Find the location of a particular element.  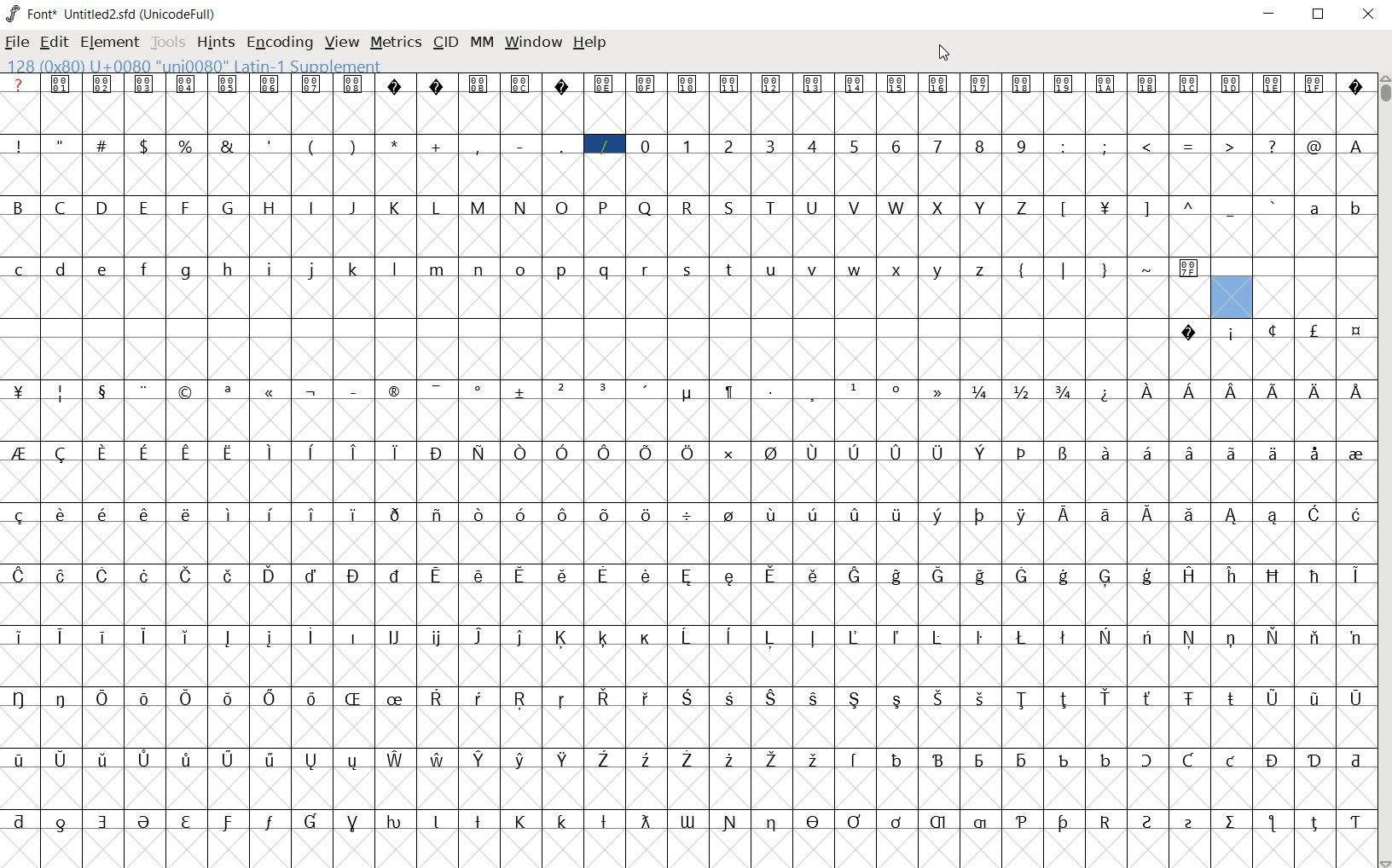

glyph is located at coordinates (562, 86).